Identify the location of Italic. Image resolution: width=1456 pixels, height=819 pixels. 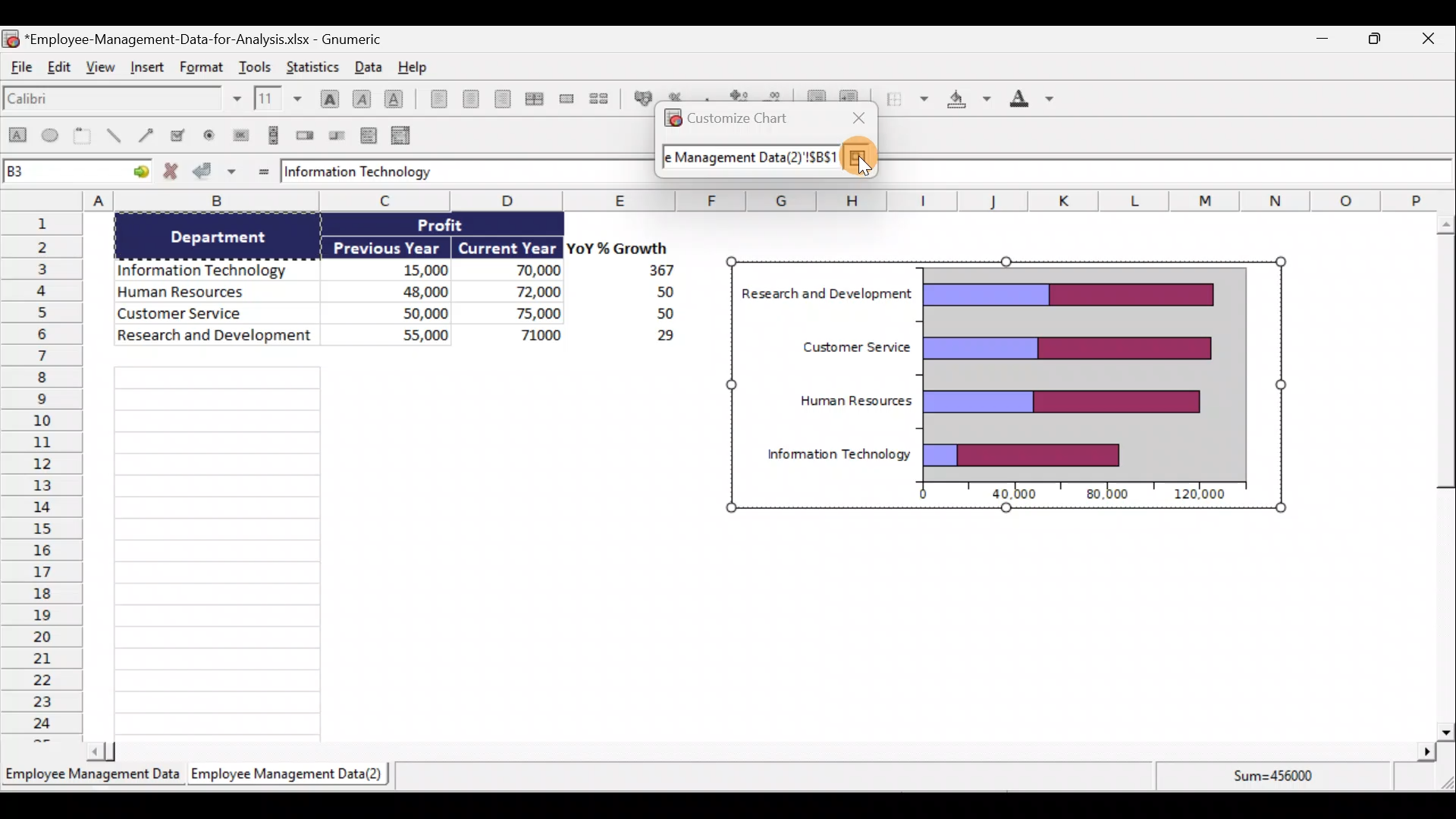
(362, 97).